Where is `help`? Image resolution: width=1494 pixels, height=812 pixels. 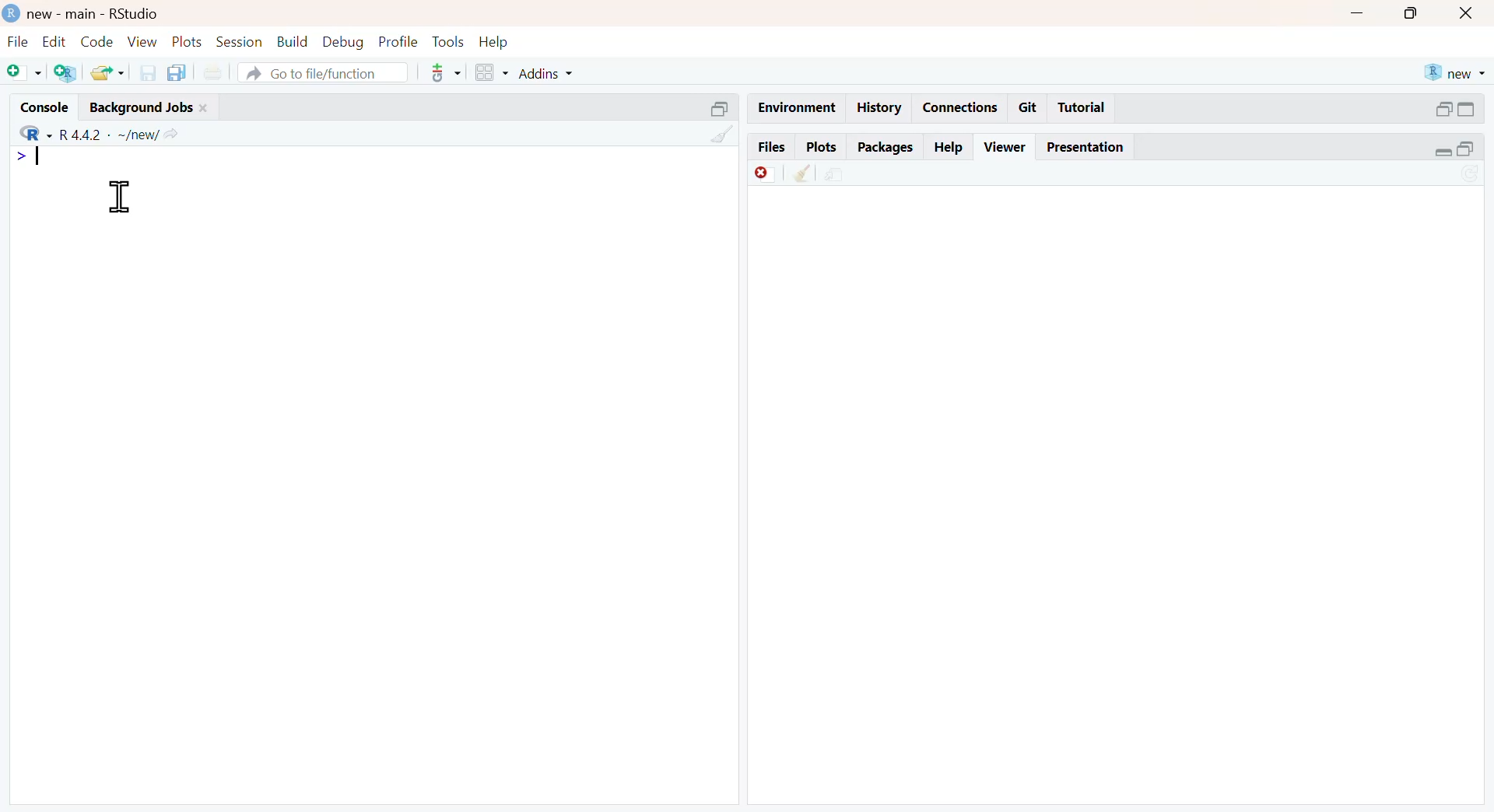 help is located at coordinates (948, 148).